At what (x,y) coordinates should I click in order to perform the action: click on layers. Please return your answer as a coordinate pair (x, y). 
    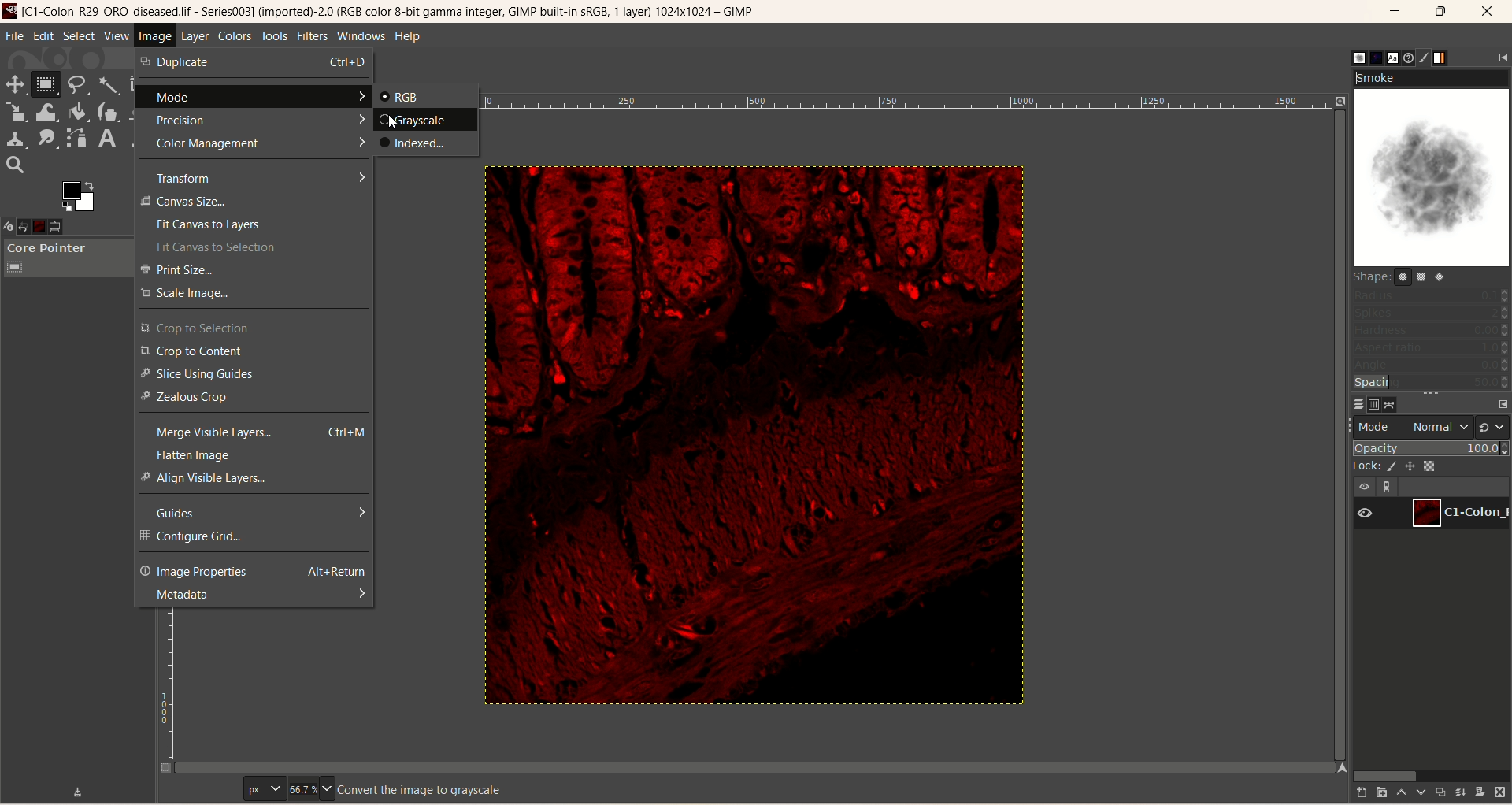
    Looking at the image, I should click on (1358, 405).